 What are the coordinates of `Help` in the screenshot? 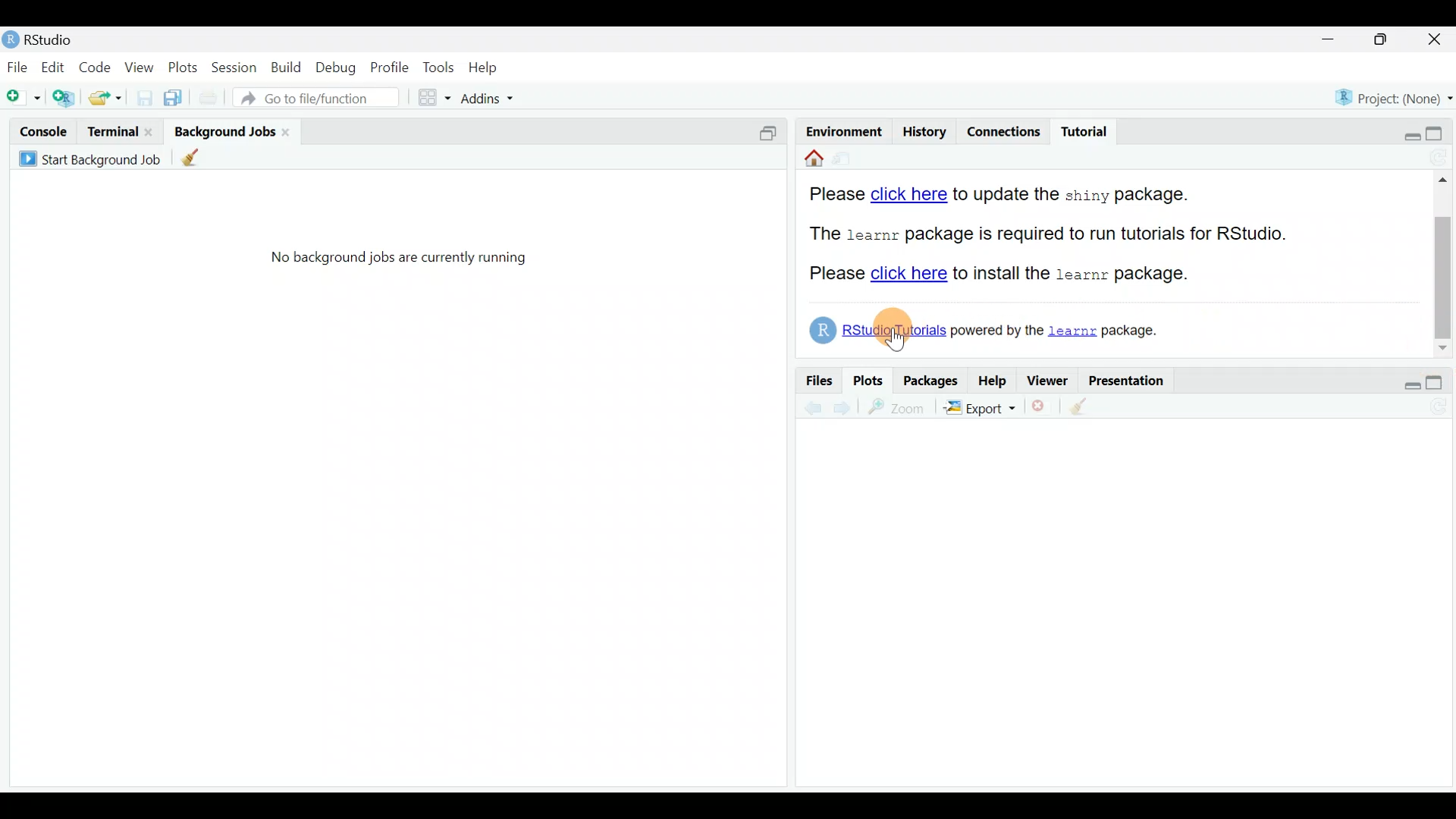 It's located at (486, 68).